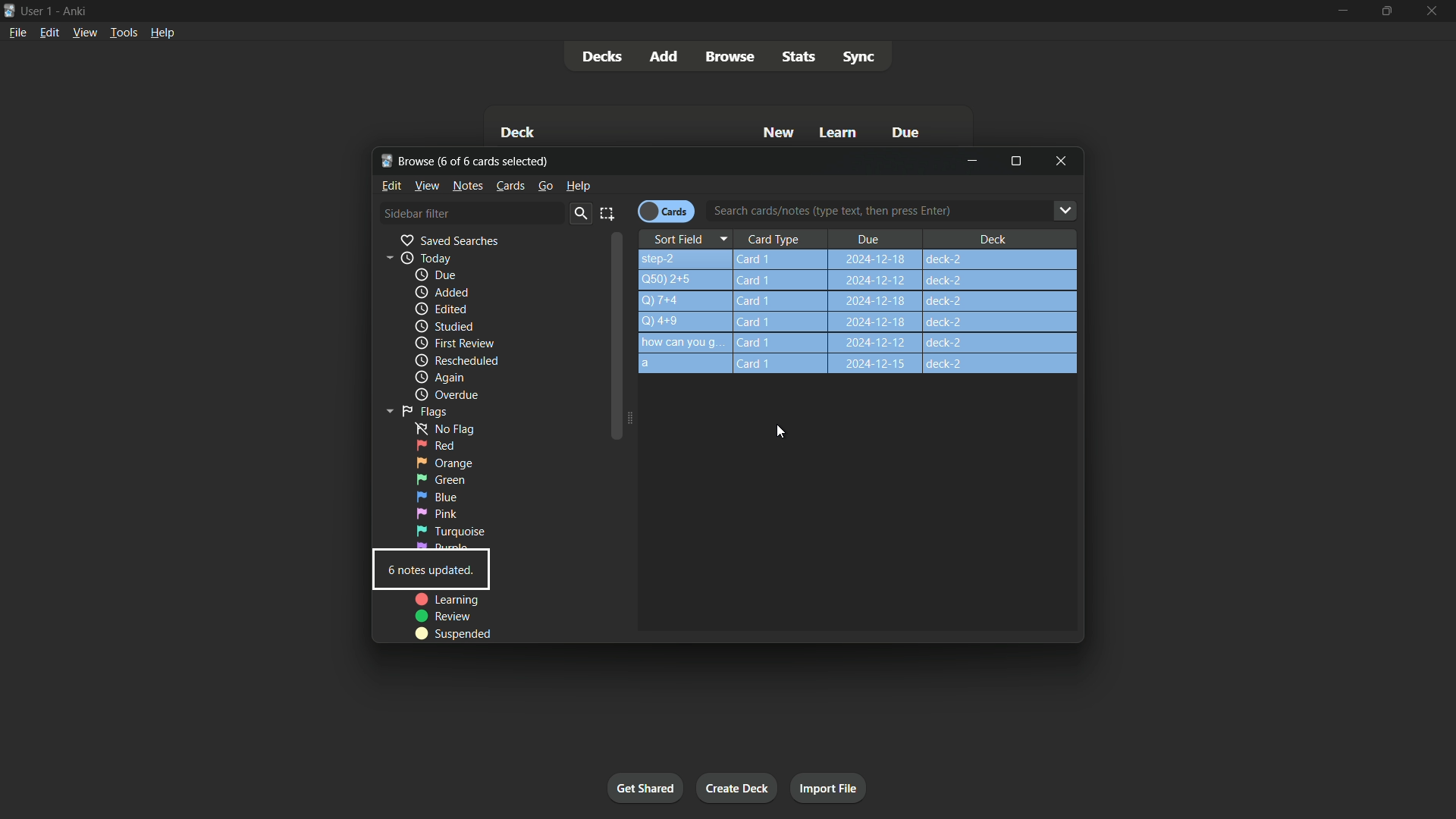  I want to click on cursor, so click(778, 431).